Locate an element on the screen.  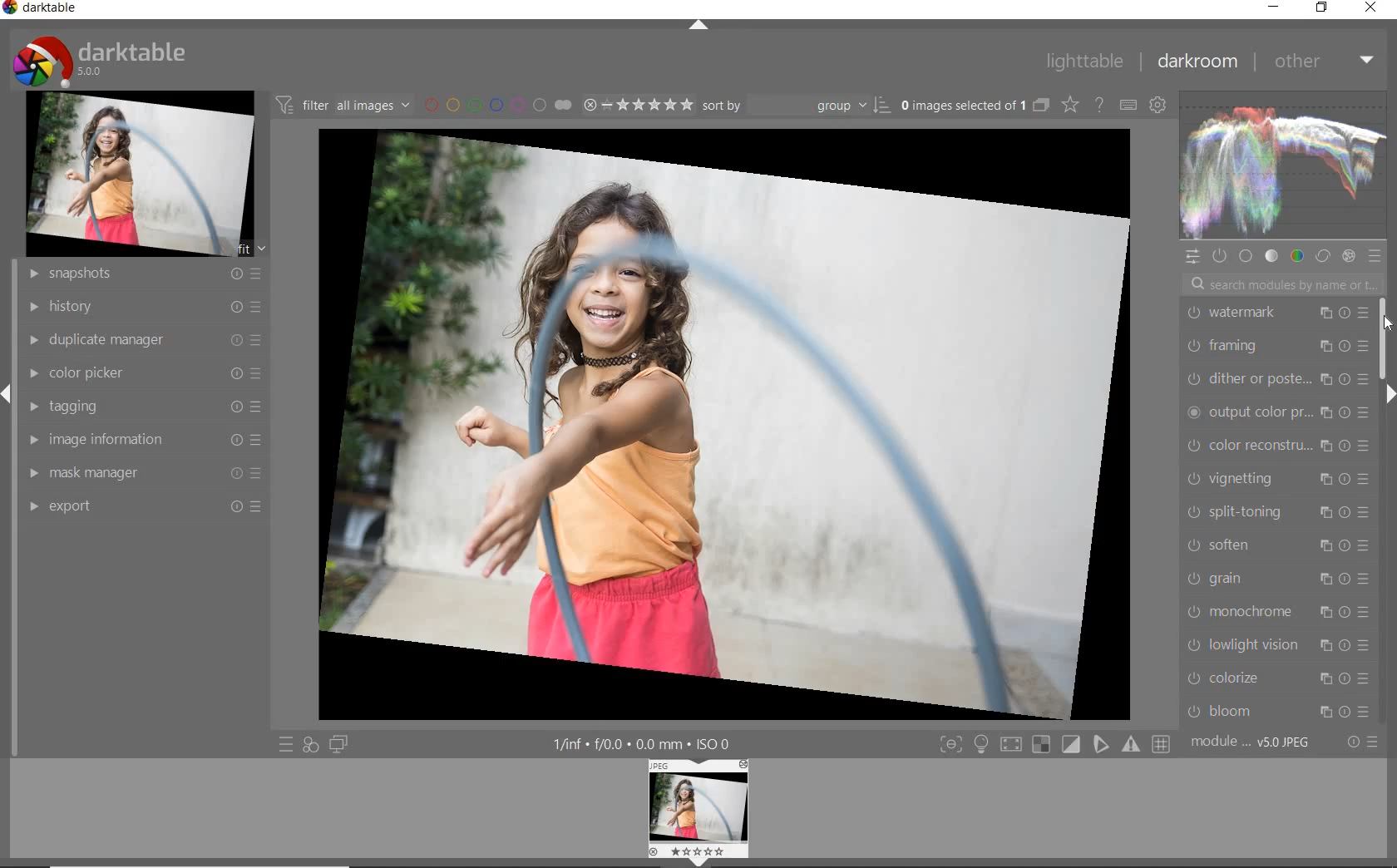
other is located at coordinates (1321, 61).